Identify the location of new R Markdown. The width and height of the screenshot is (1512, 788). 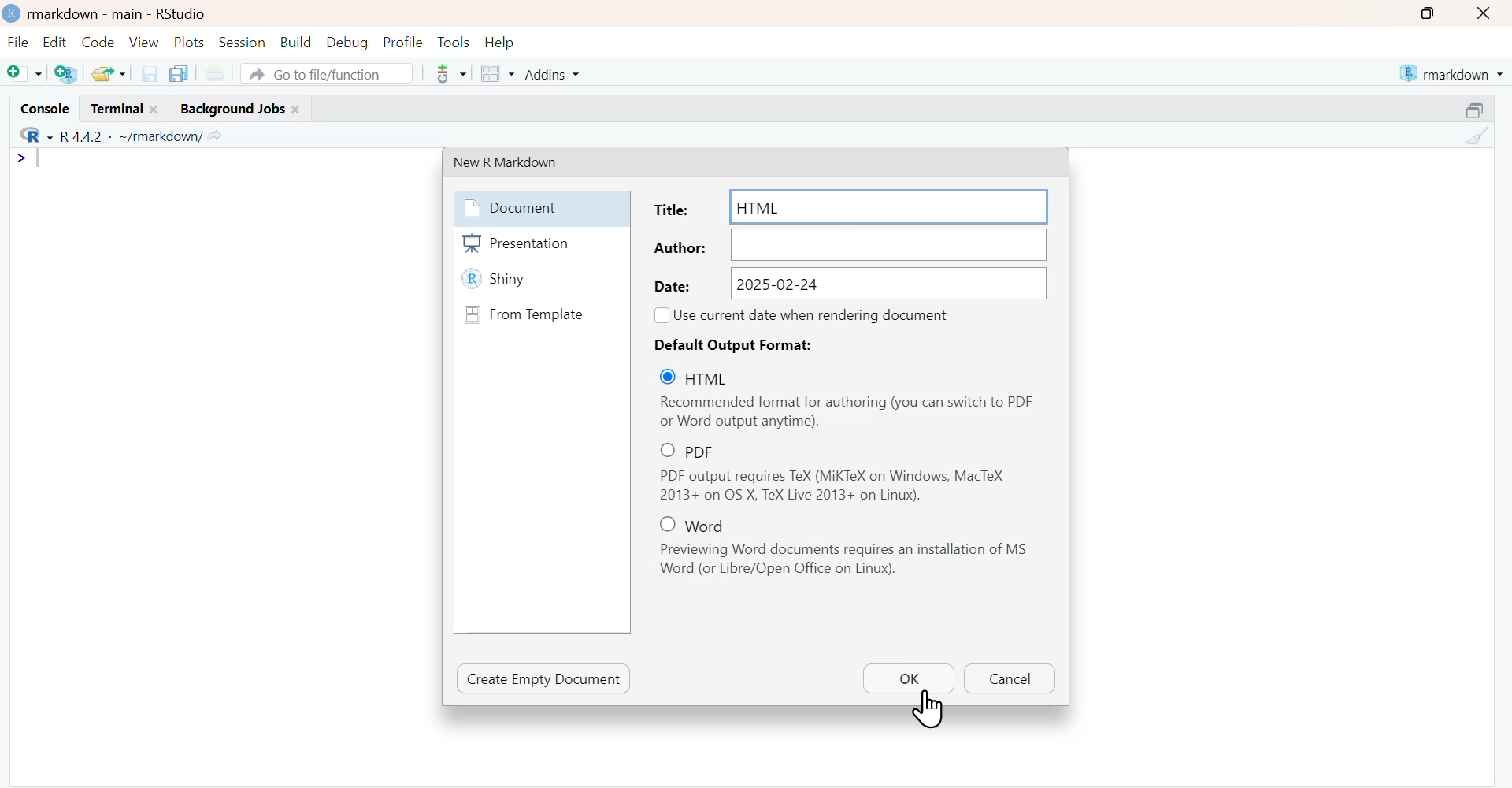
(517, 161).